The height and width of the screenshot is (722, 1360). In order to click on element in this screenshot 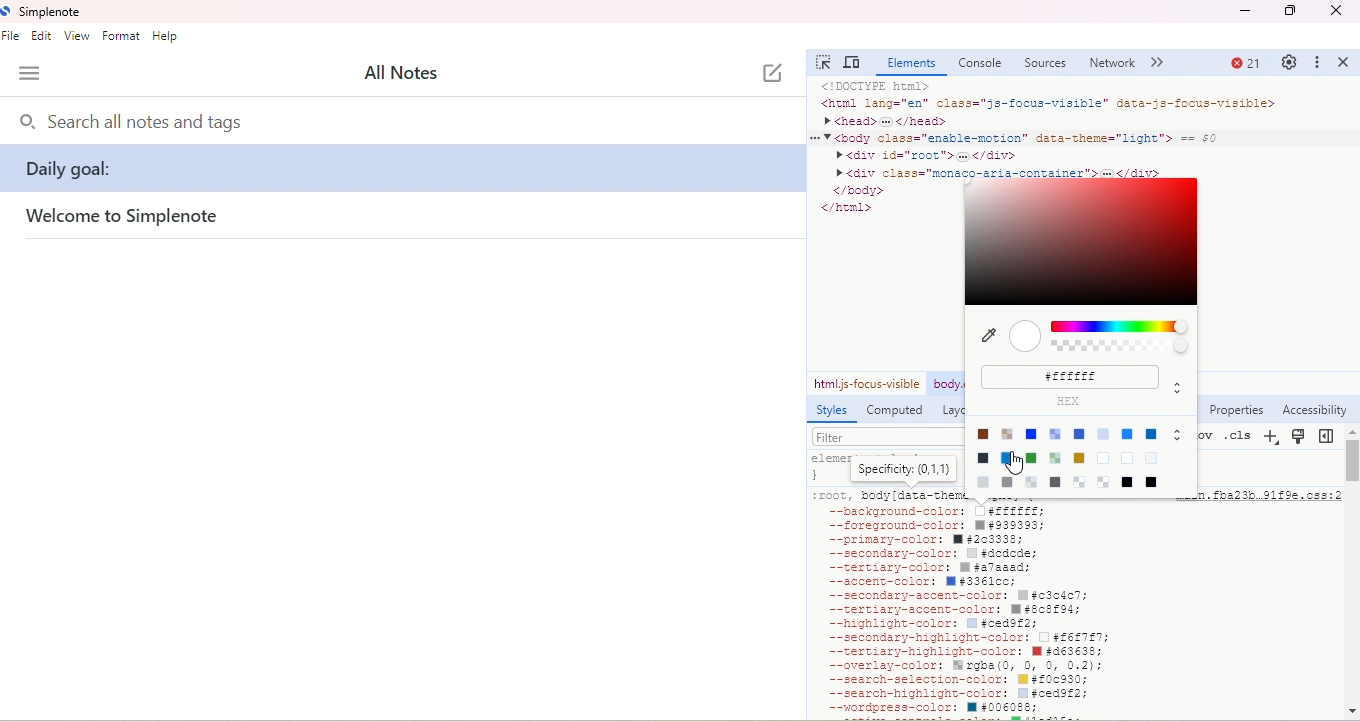, I will do `click(908, 65)`.